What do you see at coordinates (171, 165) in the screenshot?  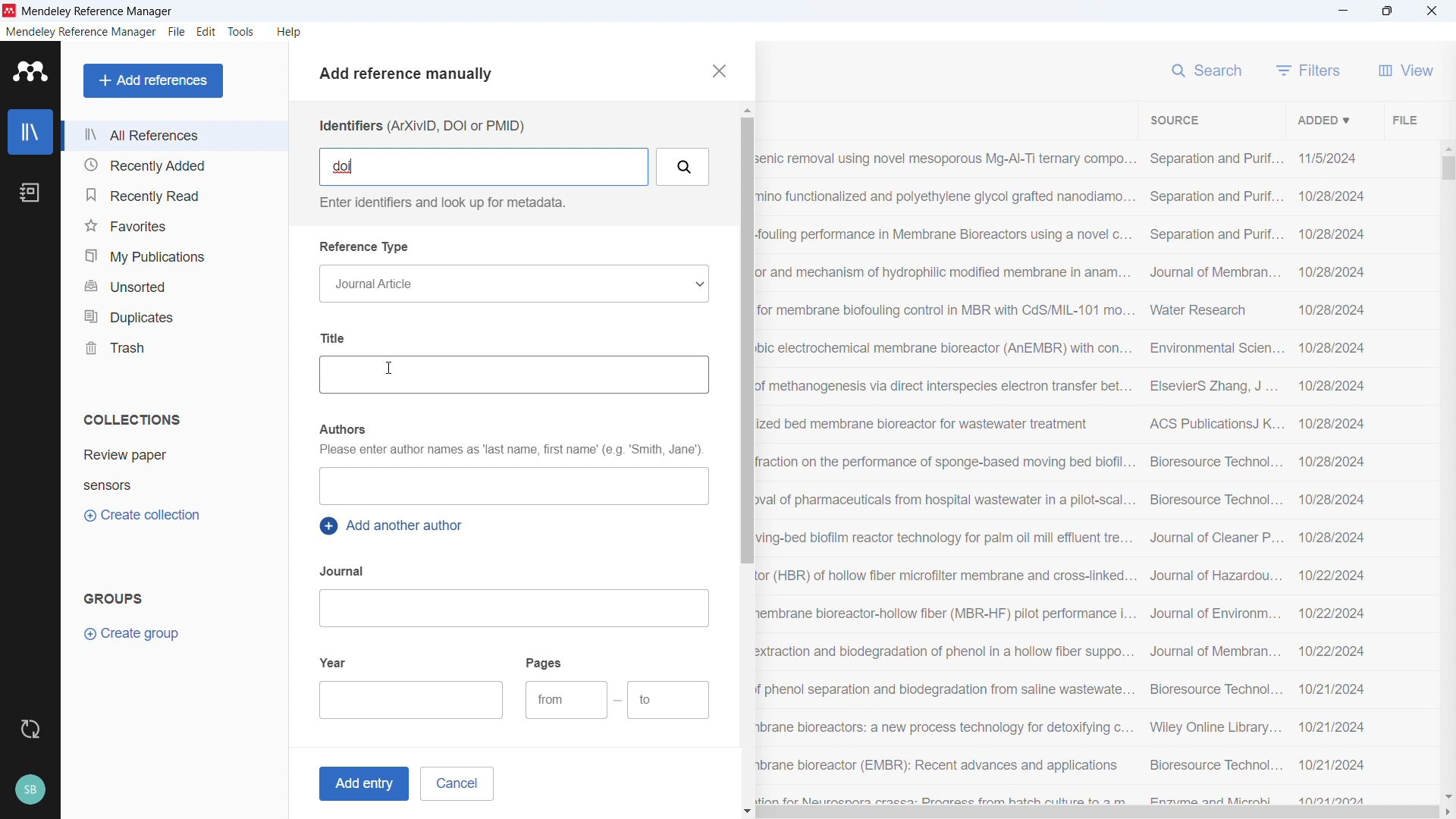 I see `Recently added ` at bounding box center [171, 165].